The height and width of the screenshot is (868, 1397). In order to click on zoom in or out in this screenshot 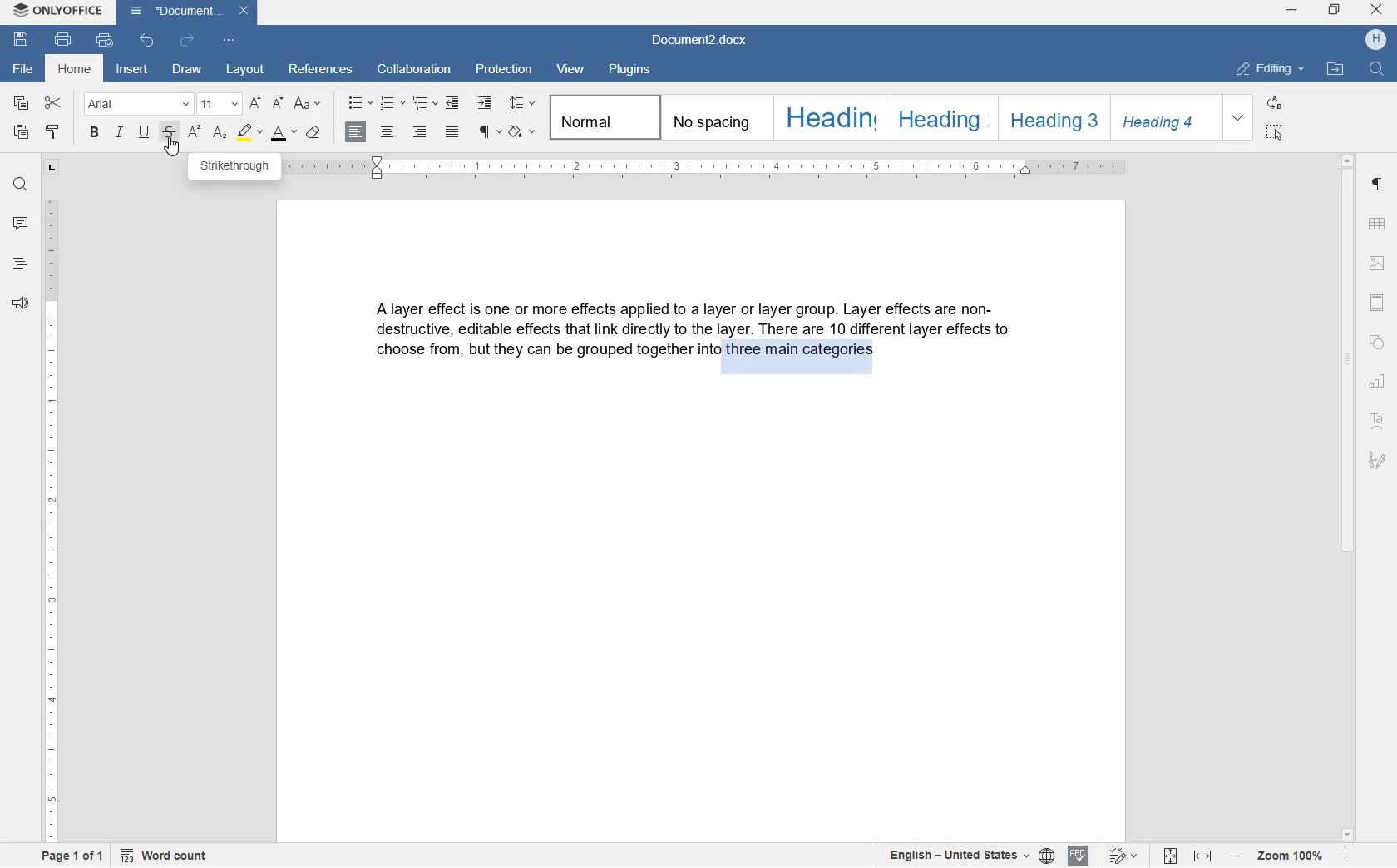, I will do `click(1289, 857)`.